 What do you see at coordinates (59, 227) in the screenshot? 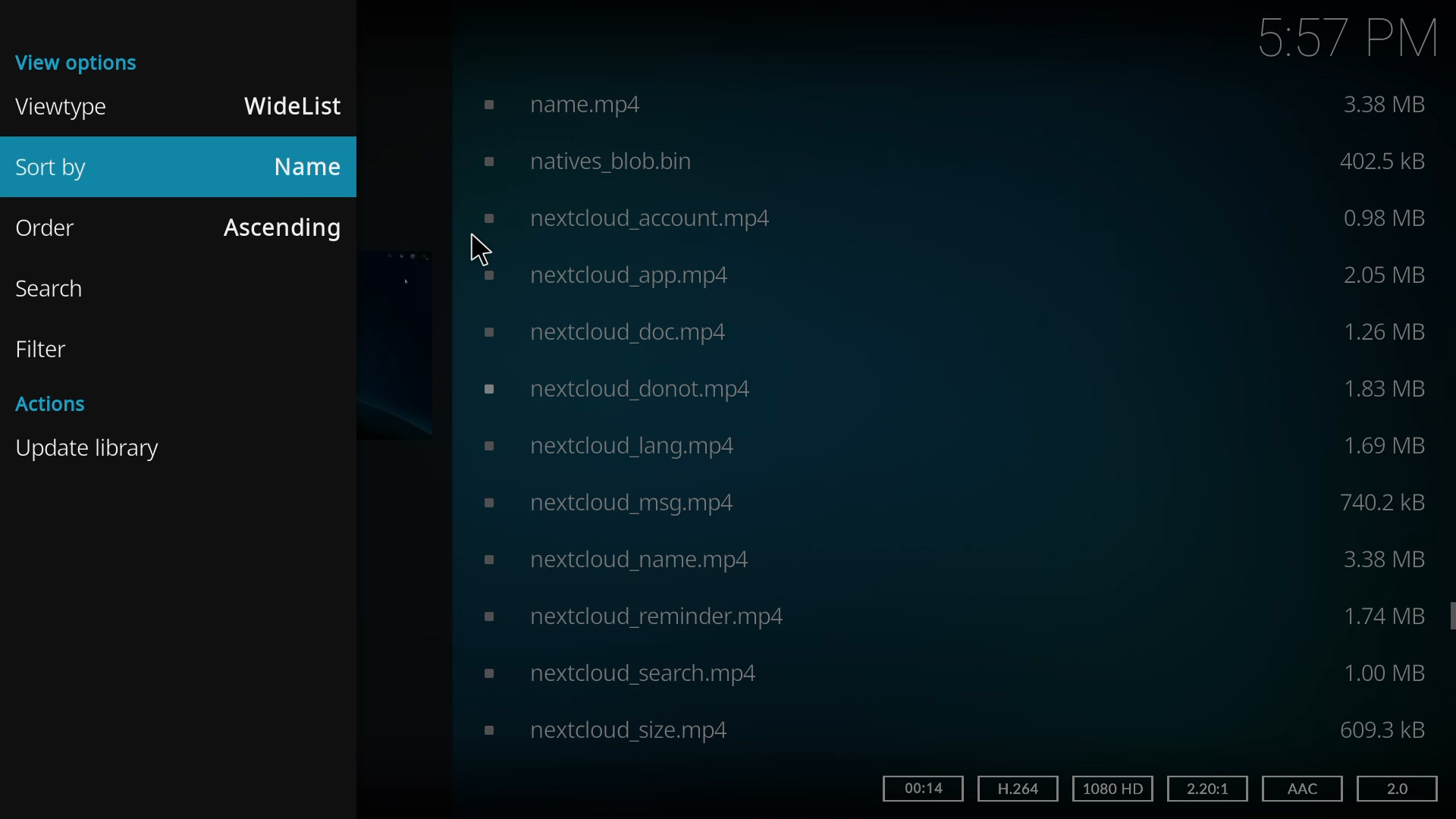
I see `order` at bounding box center [59, 227].